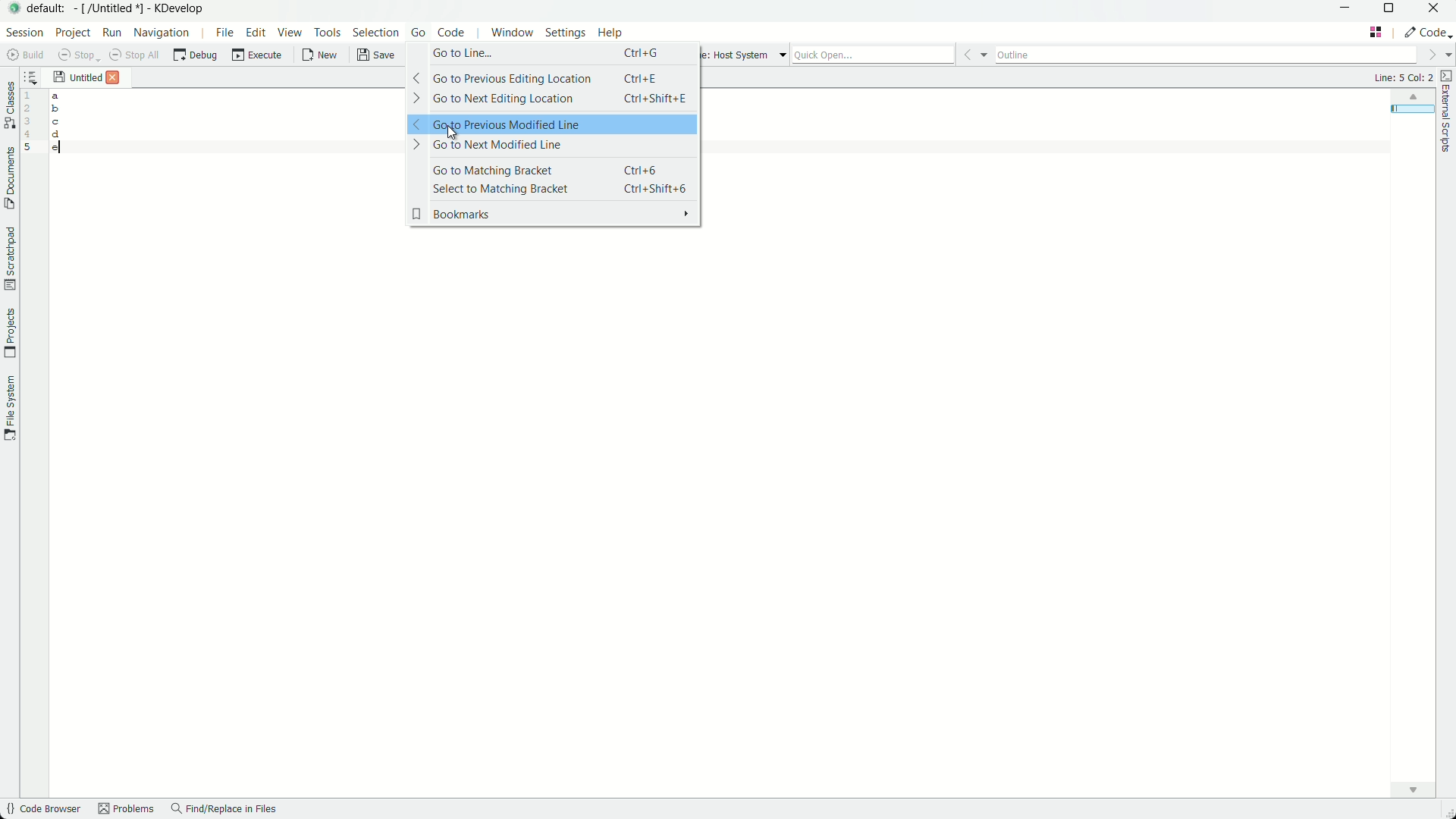 The image size is (1456, 819). I want to click on go to previous editing location, so click(552, 78).